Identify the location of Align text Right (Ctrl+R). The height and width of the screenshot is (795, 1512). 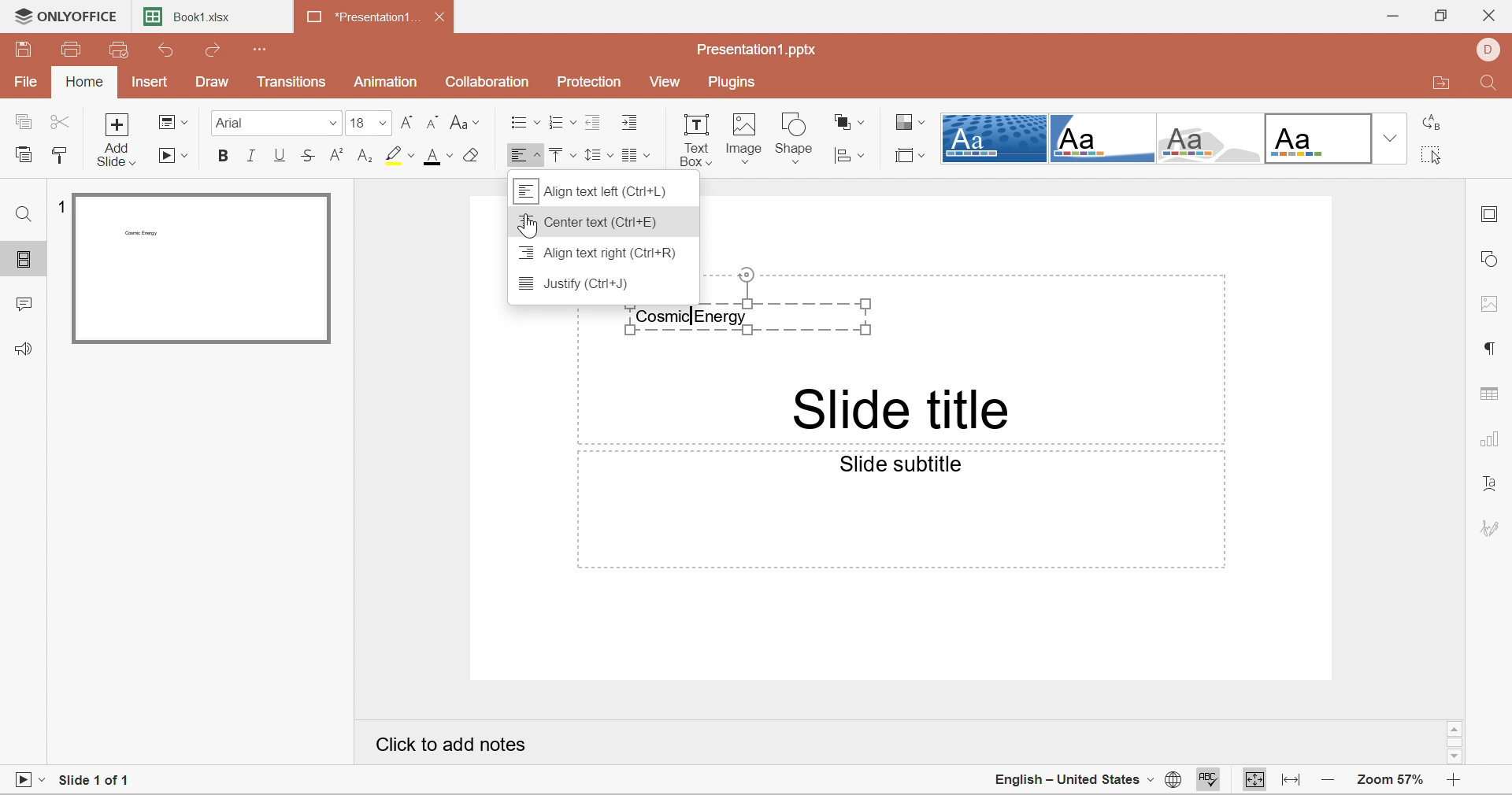
(598, 253).